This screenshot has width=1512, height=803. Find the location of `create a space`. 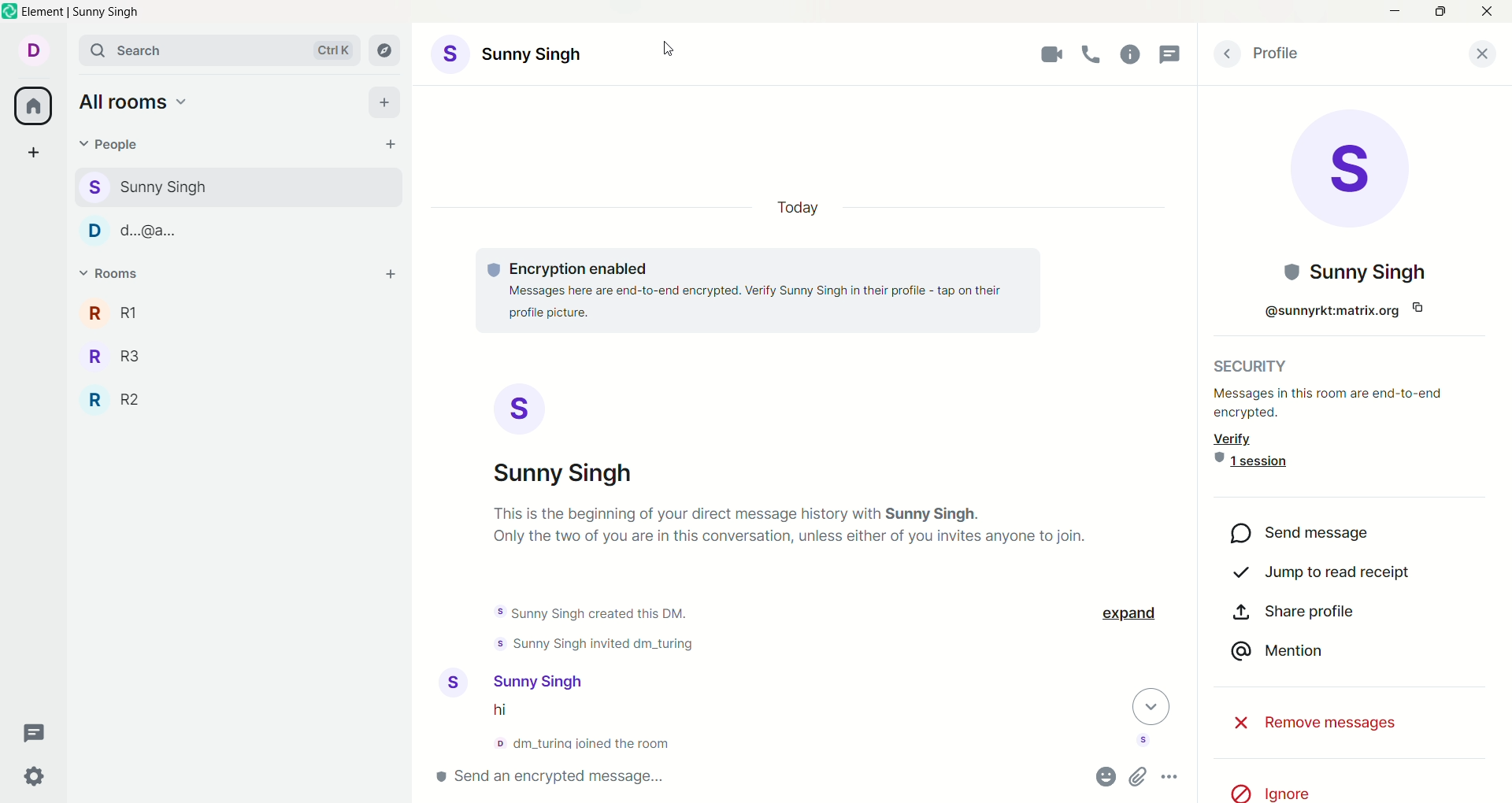

create a space is located at coordinates (34, 155).